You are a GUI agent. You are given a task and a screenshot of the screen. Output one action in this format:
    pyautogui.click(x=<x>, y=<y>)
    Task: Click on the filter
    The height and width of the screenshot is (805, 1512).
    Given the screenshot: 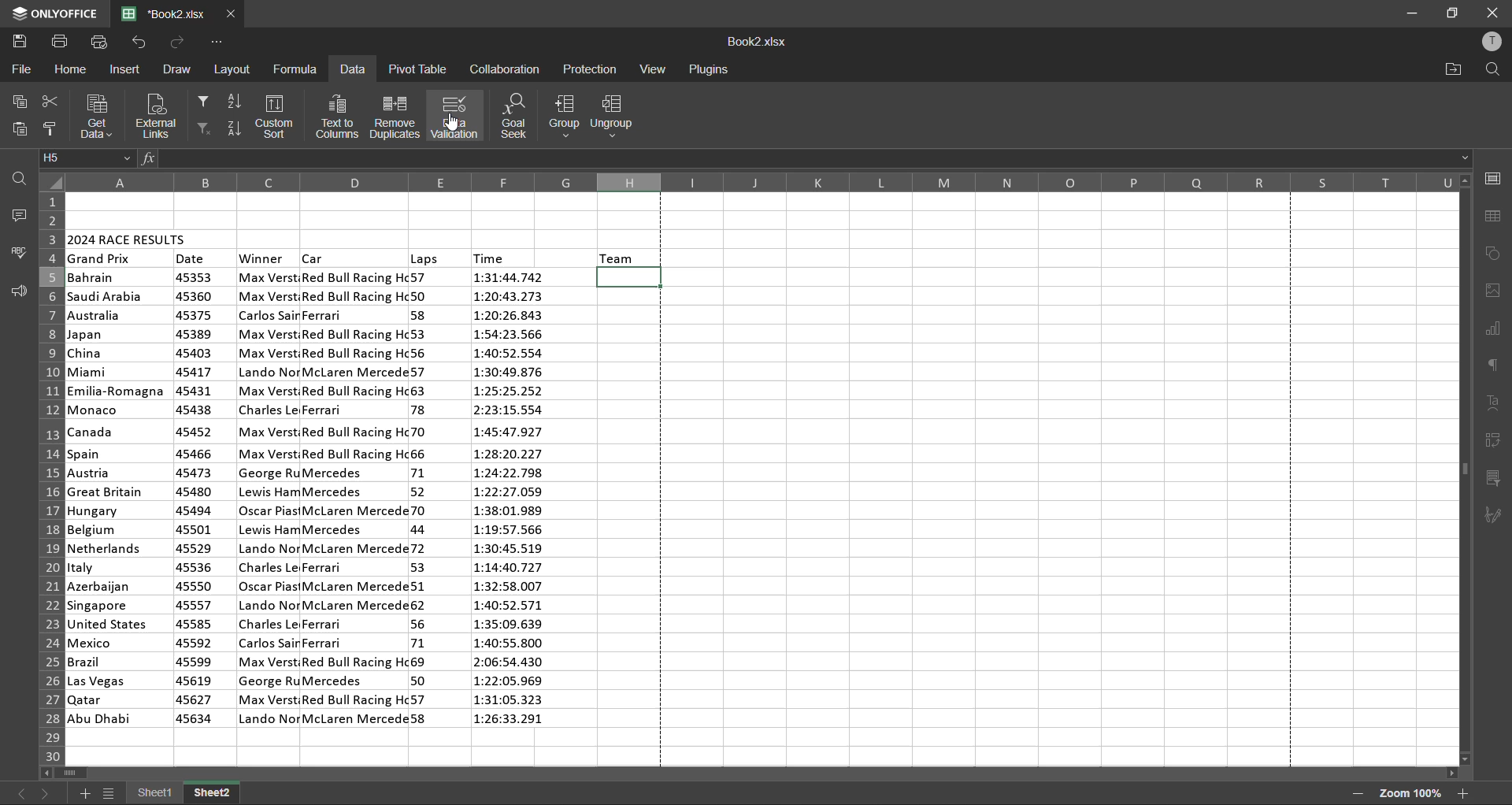 What is the action you would take?
    pyautogui.click(x=202, y=99)
    